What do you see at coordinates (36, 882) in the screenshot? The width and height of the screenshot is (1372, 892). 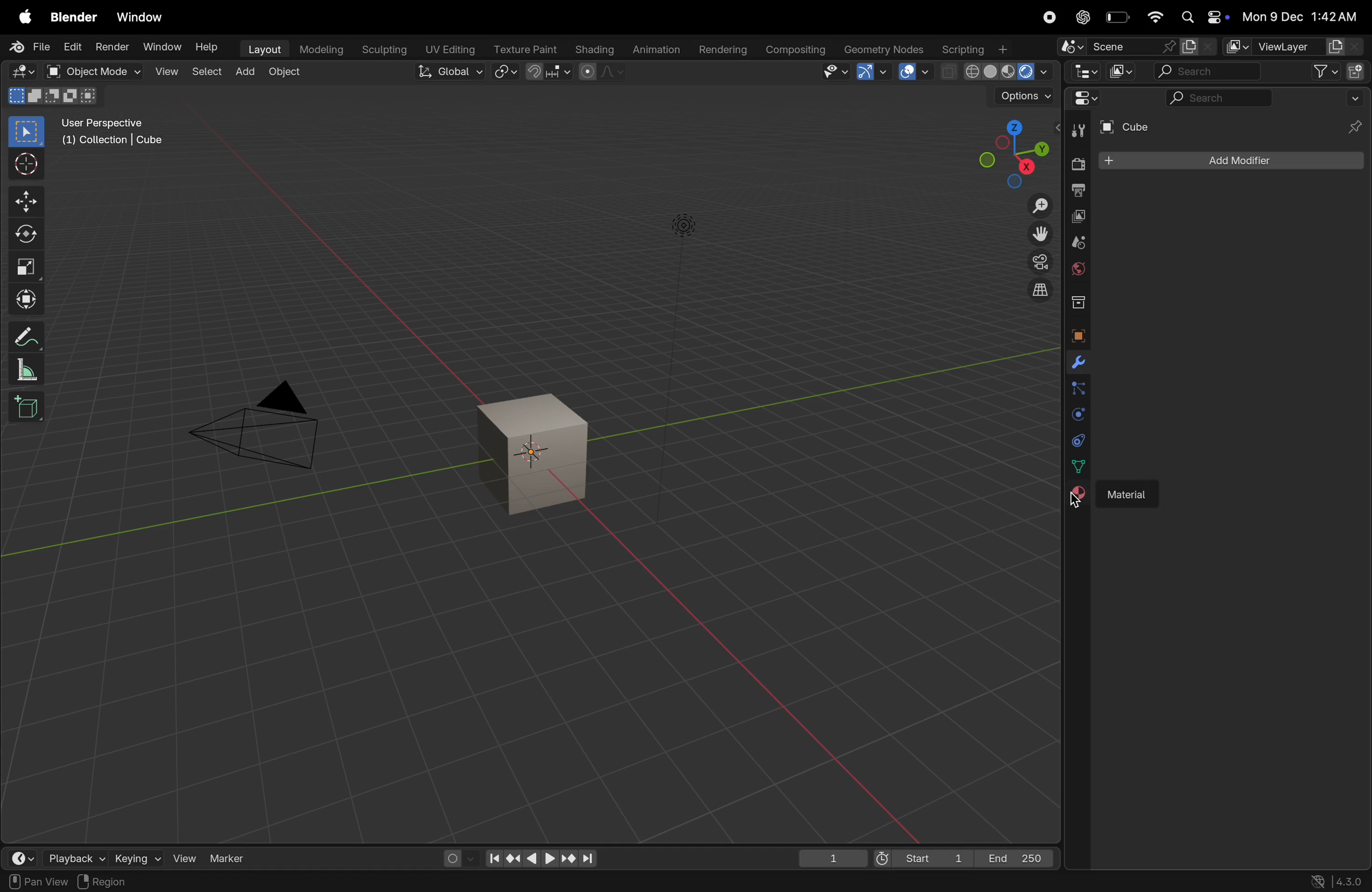 I see `pan view` at bounding box center [36, 882].